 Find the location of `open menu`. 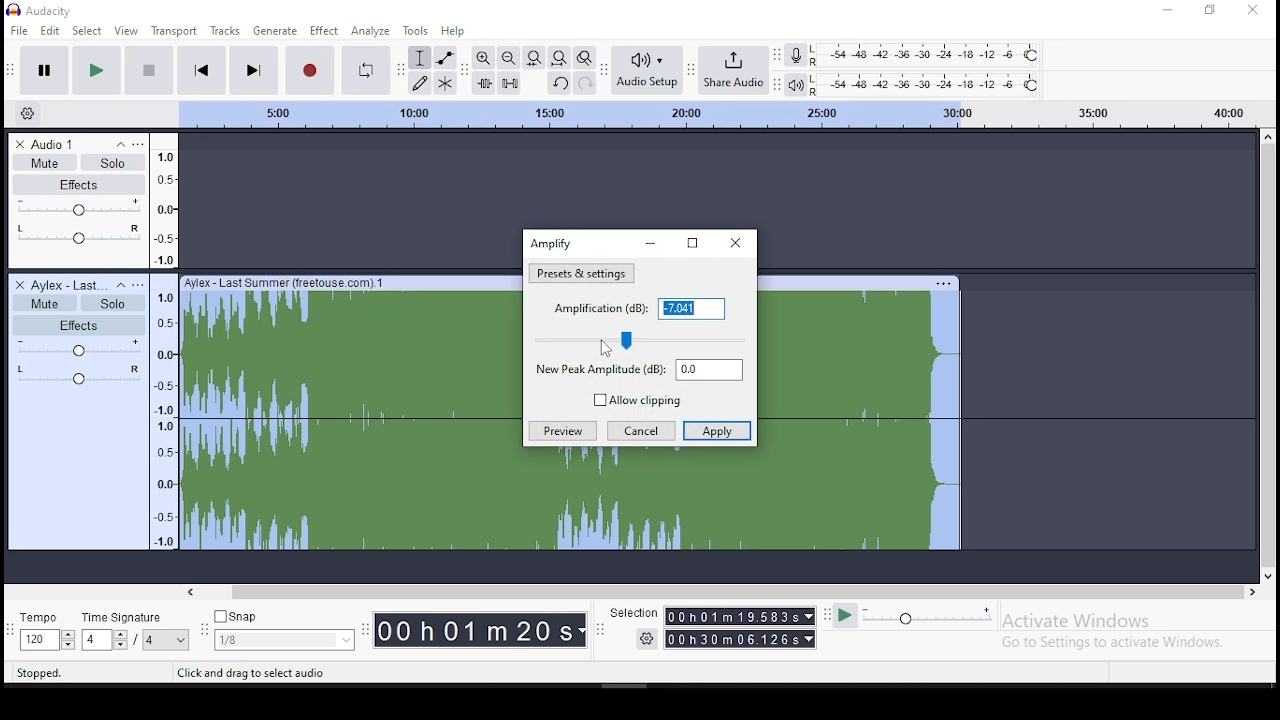

open menu is located at coordinates (138, 284).